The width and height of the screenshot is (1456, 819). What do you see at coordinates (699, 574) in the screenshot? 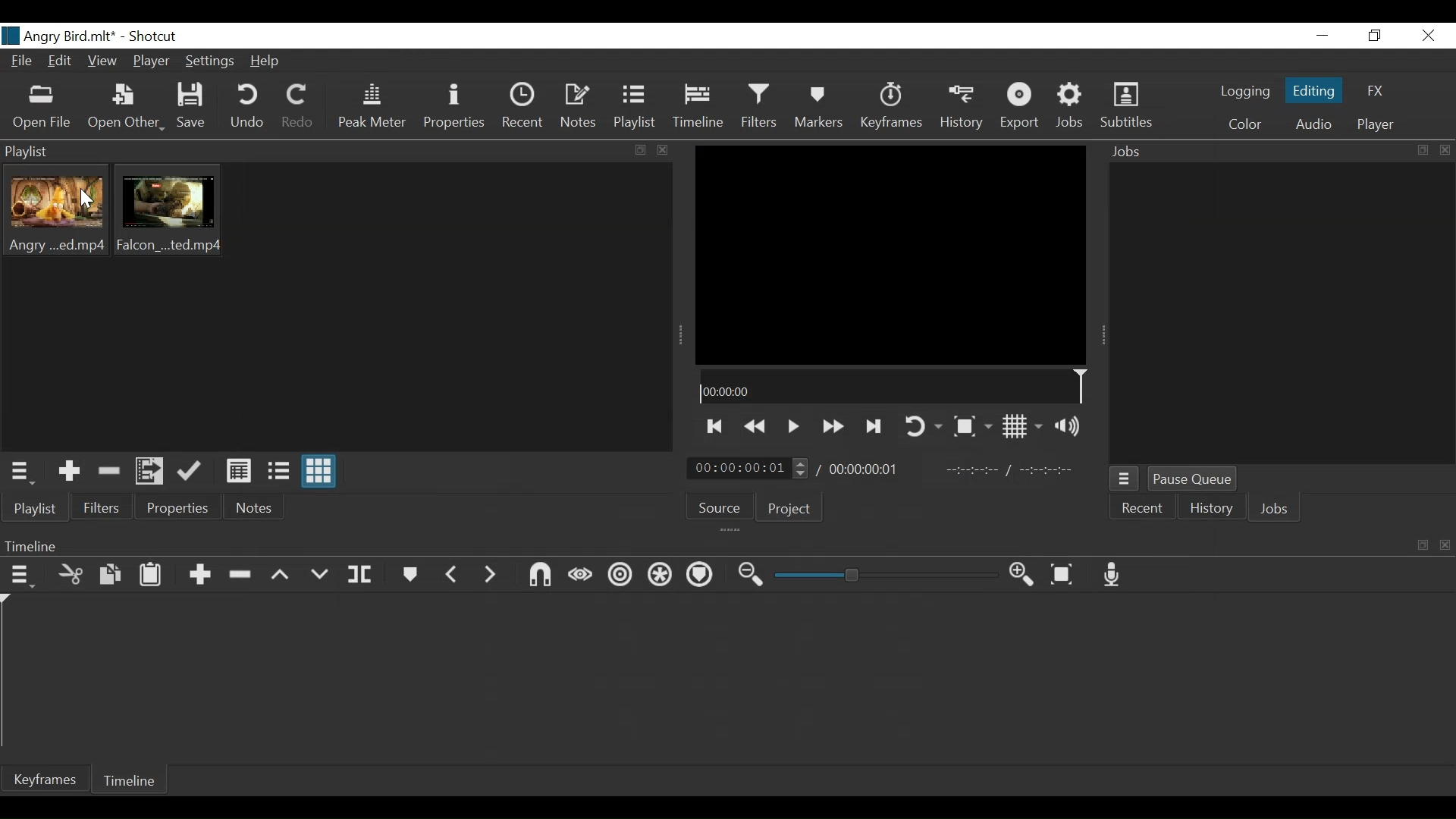
I see `Ripple Markers` at bounding box center [699, 574].